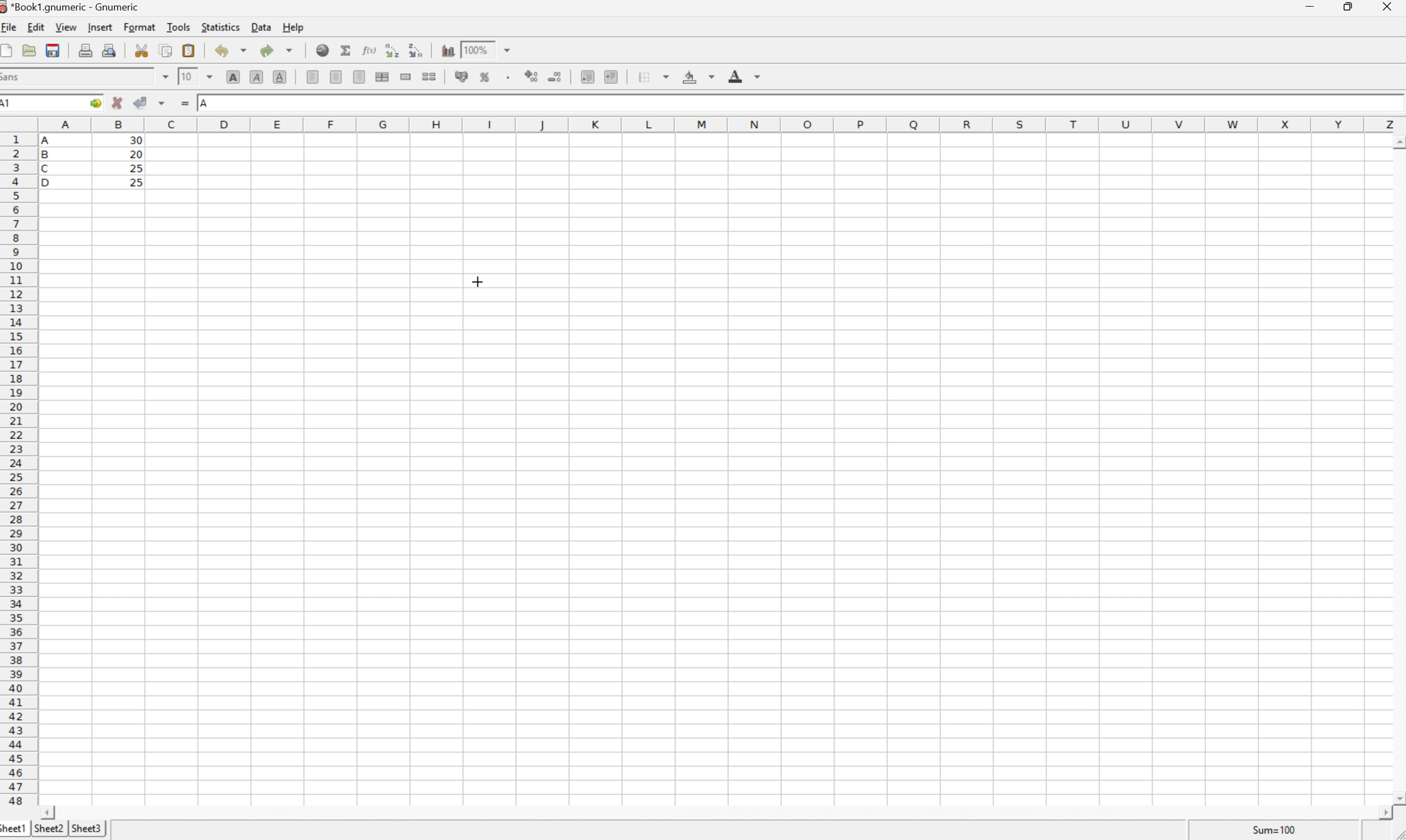 This screenshot has height=840, width=1406. I want to click on Scroll Left, so click(50, 812).